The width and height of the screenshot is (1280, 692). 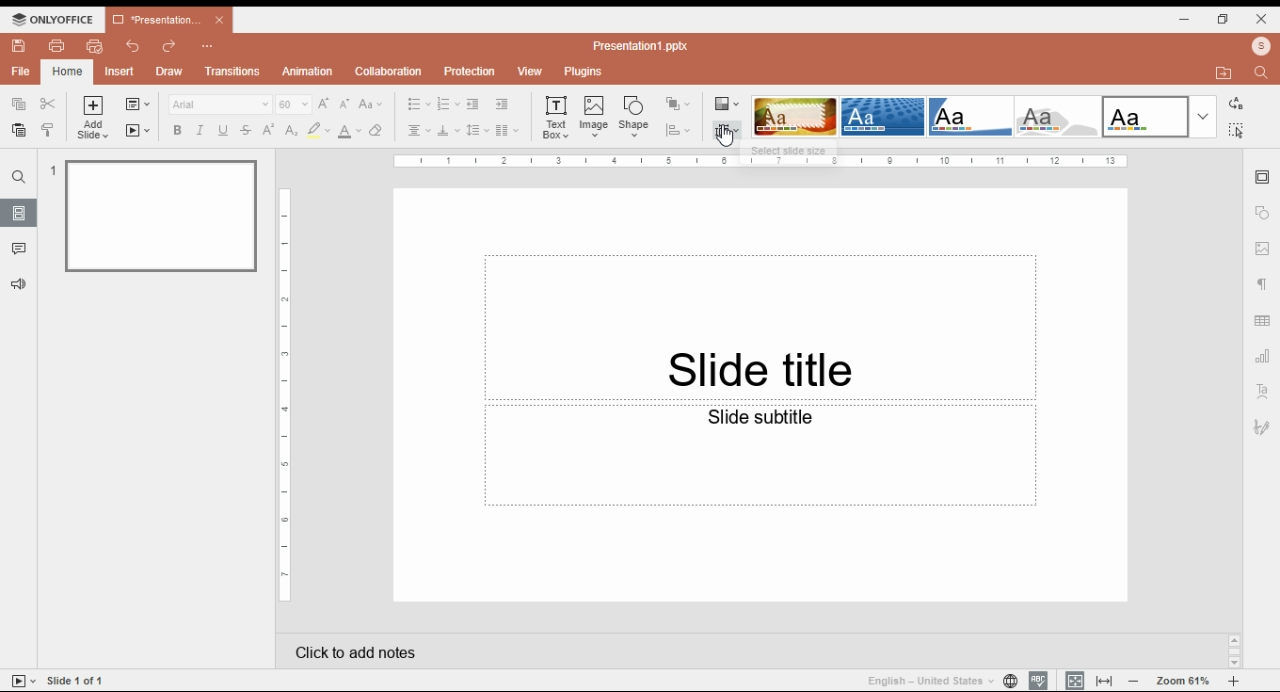 I want to click on fit to window, so click(x=1106, y=680).